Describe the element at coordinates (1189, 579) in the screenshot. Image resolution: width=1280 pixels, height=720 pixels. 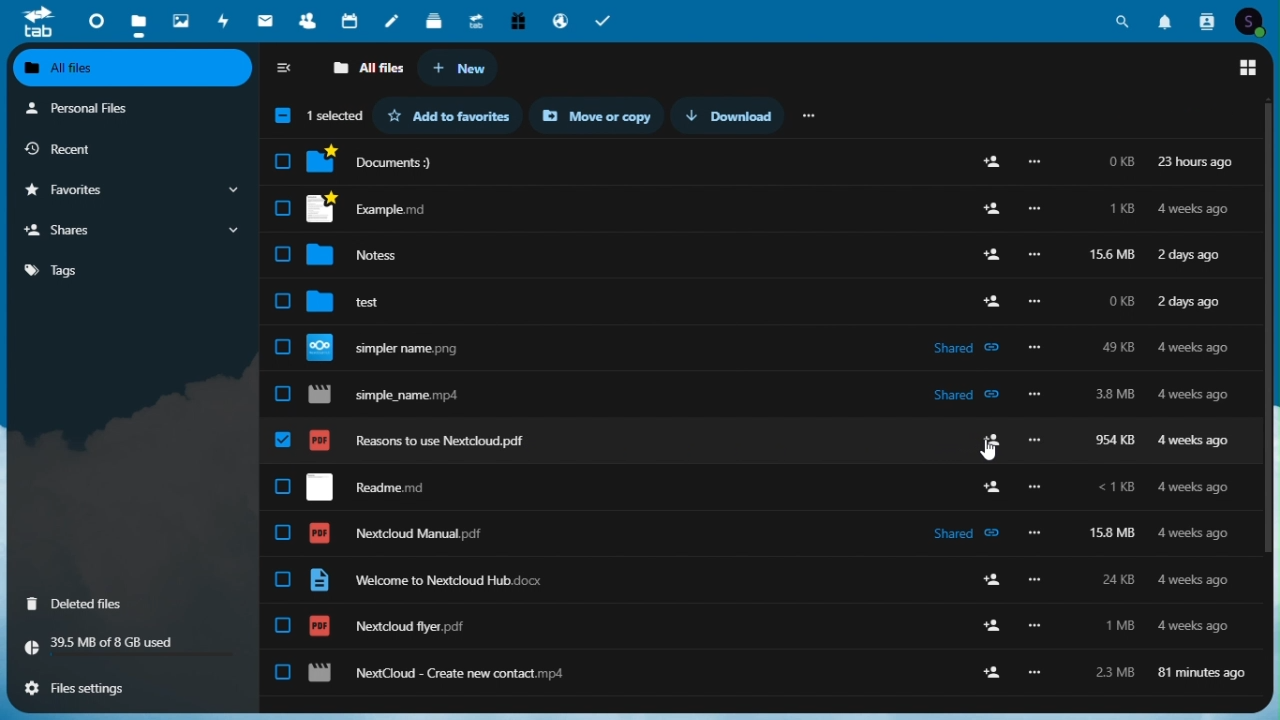
I see `4 weeks ago` at that location.